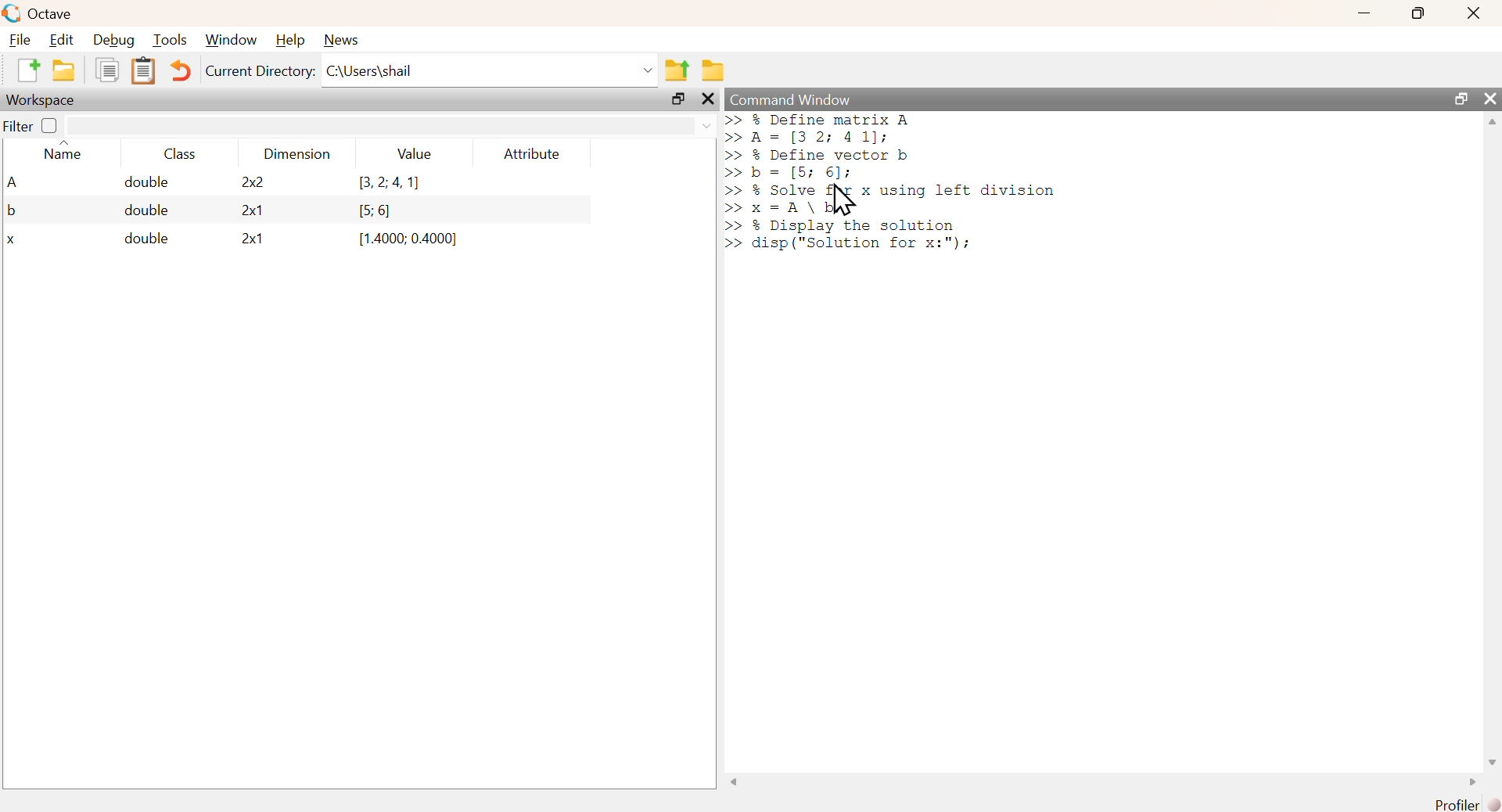  Describe the element at coordinates (383, 184) in the screenshot. I see `(3,2,4,1)` at that location.